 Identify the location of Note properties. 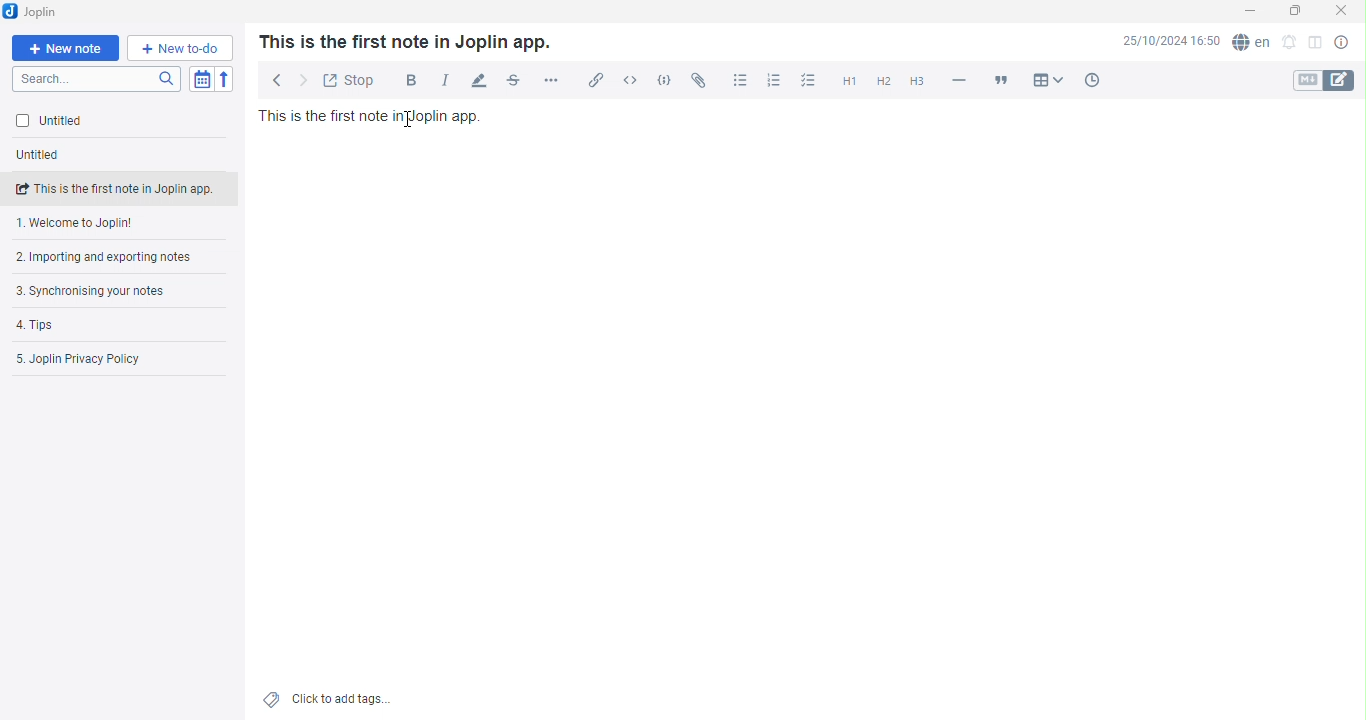
(1342, 43).